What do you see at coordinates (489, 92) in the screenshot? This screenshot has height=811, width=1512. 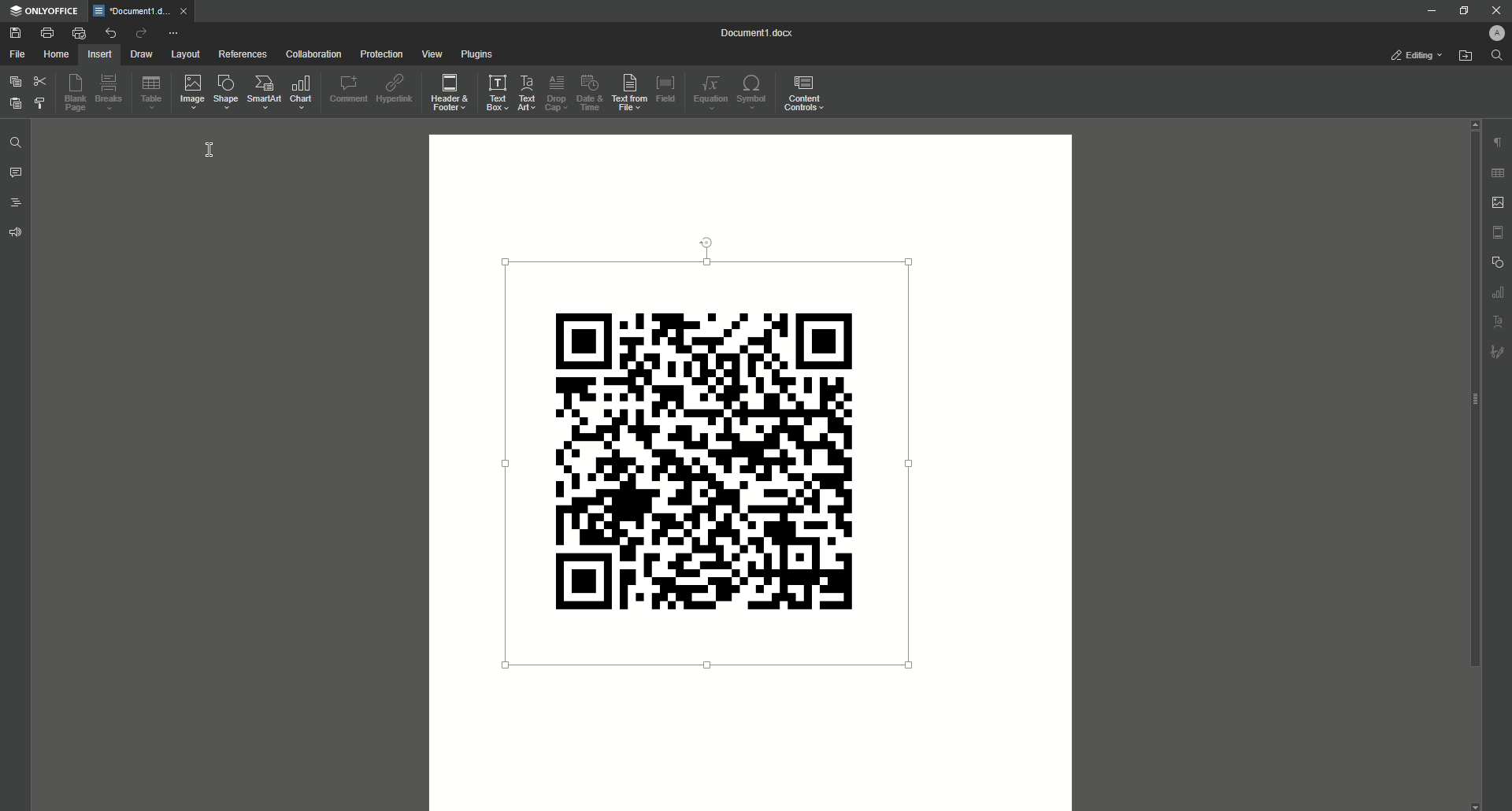 I see `Text Box` at bounding box center [489, 92].